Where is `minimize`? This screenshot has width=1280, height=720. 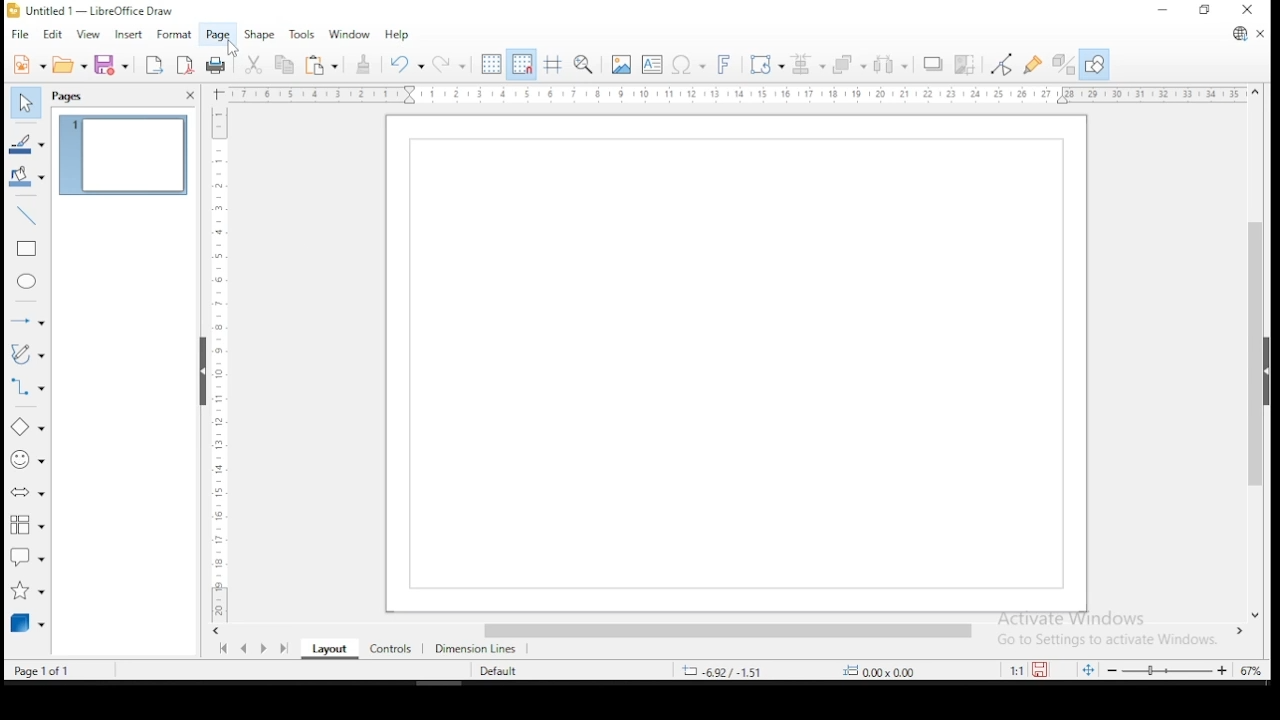
minimize is located at coordinates (1163, 10).